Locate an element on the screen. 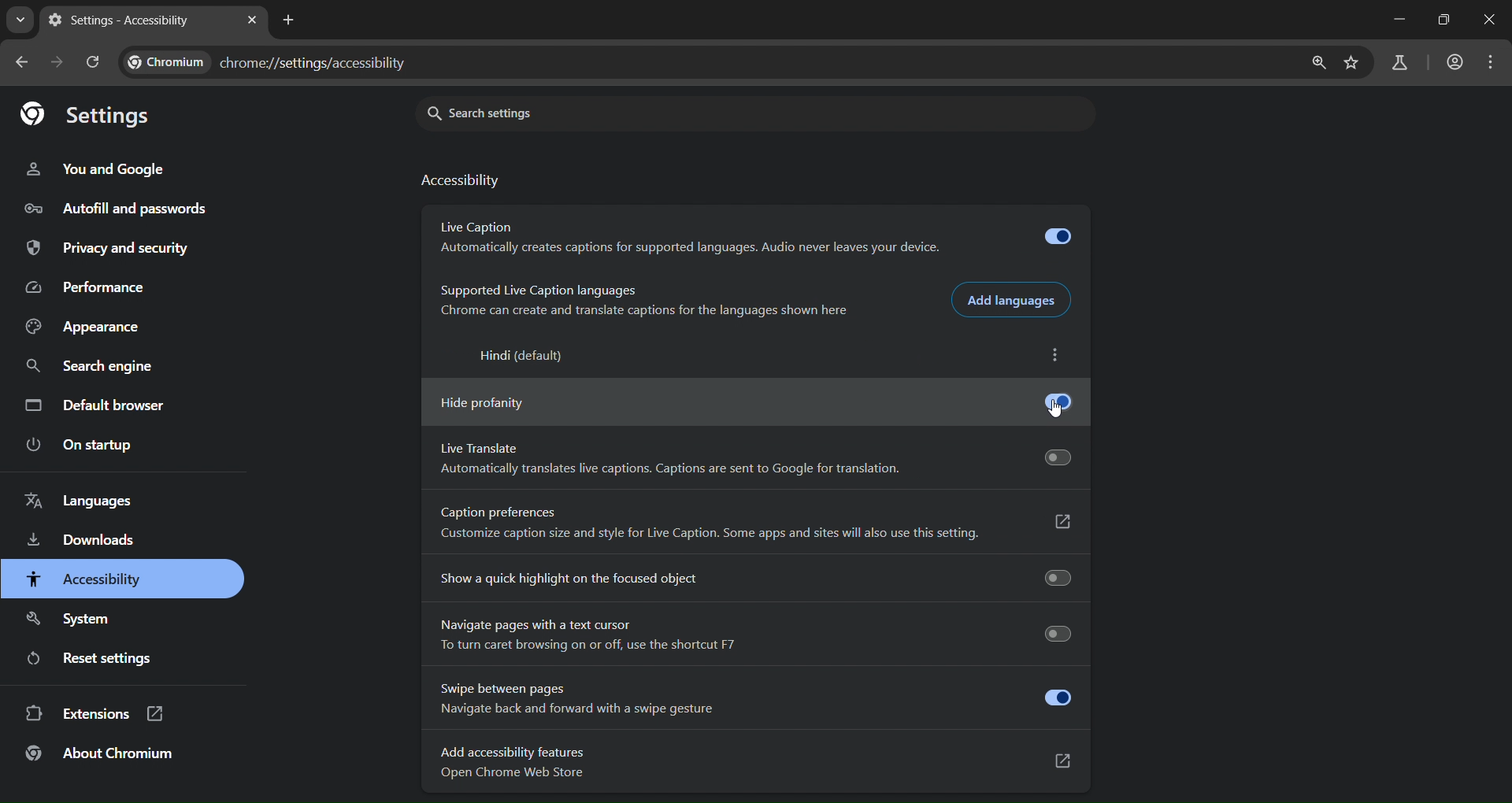  downloads is located at coordinates (83, 542).